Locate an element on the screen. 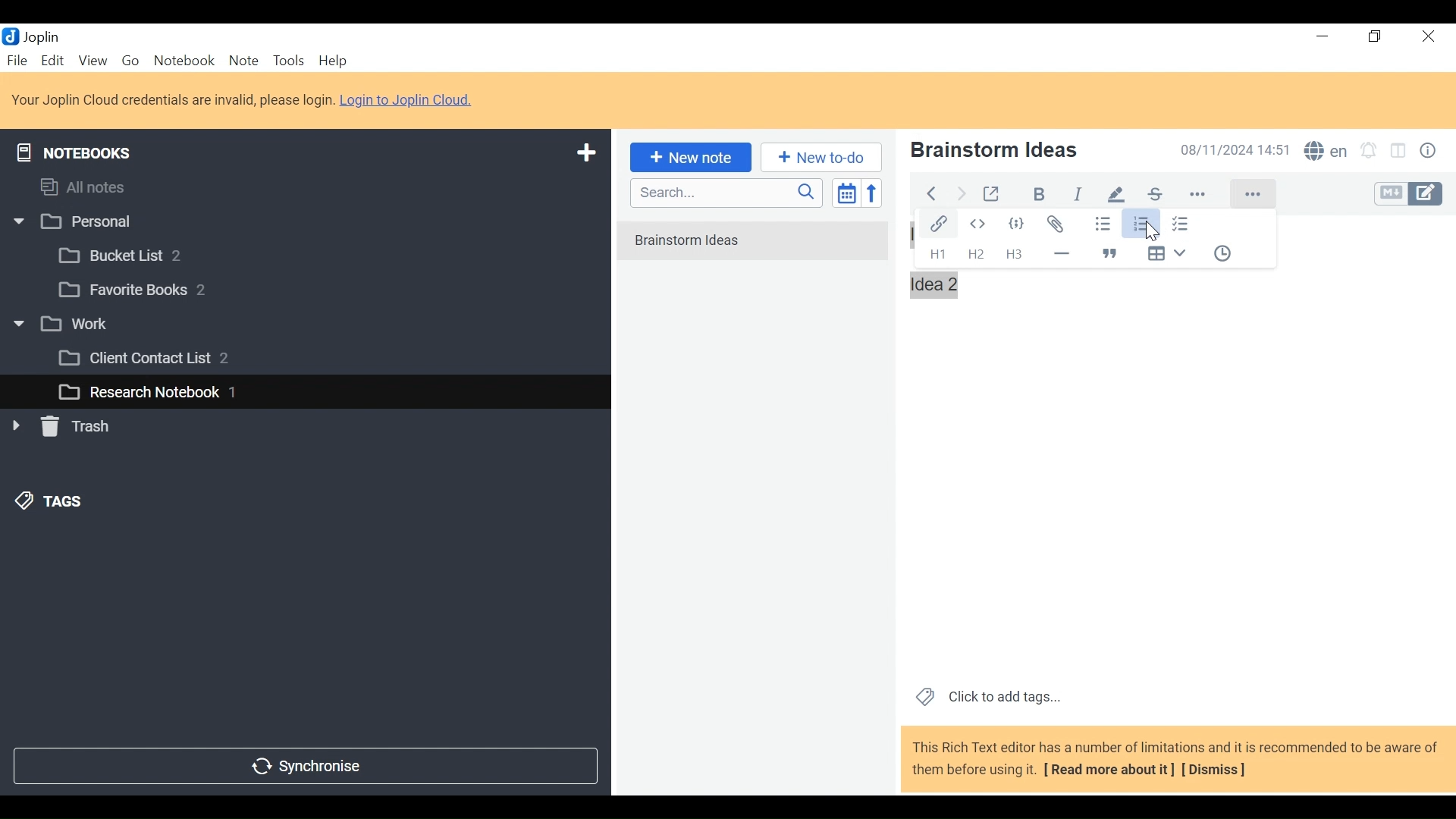  Add New Notebook is located at coordinates (585, 153).